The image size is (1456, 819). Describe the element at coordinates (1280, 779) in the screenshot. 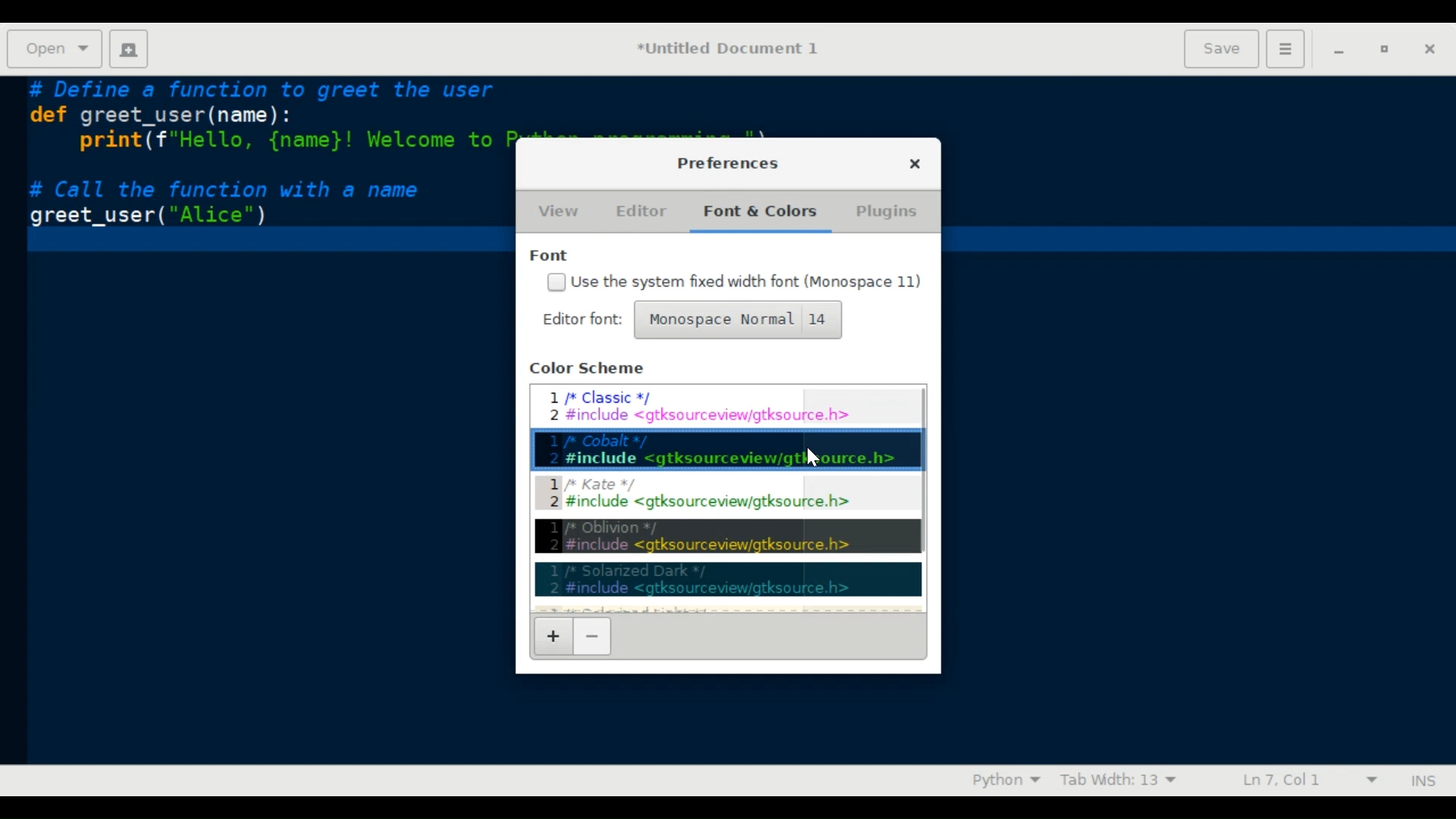

I see `Cursor Position` at that location.